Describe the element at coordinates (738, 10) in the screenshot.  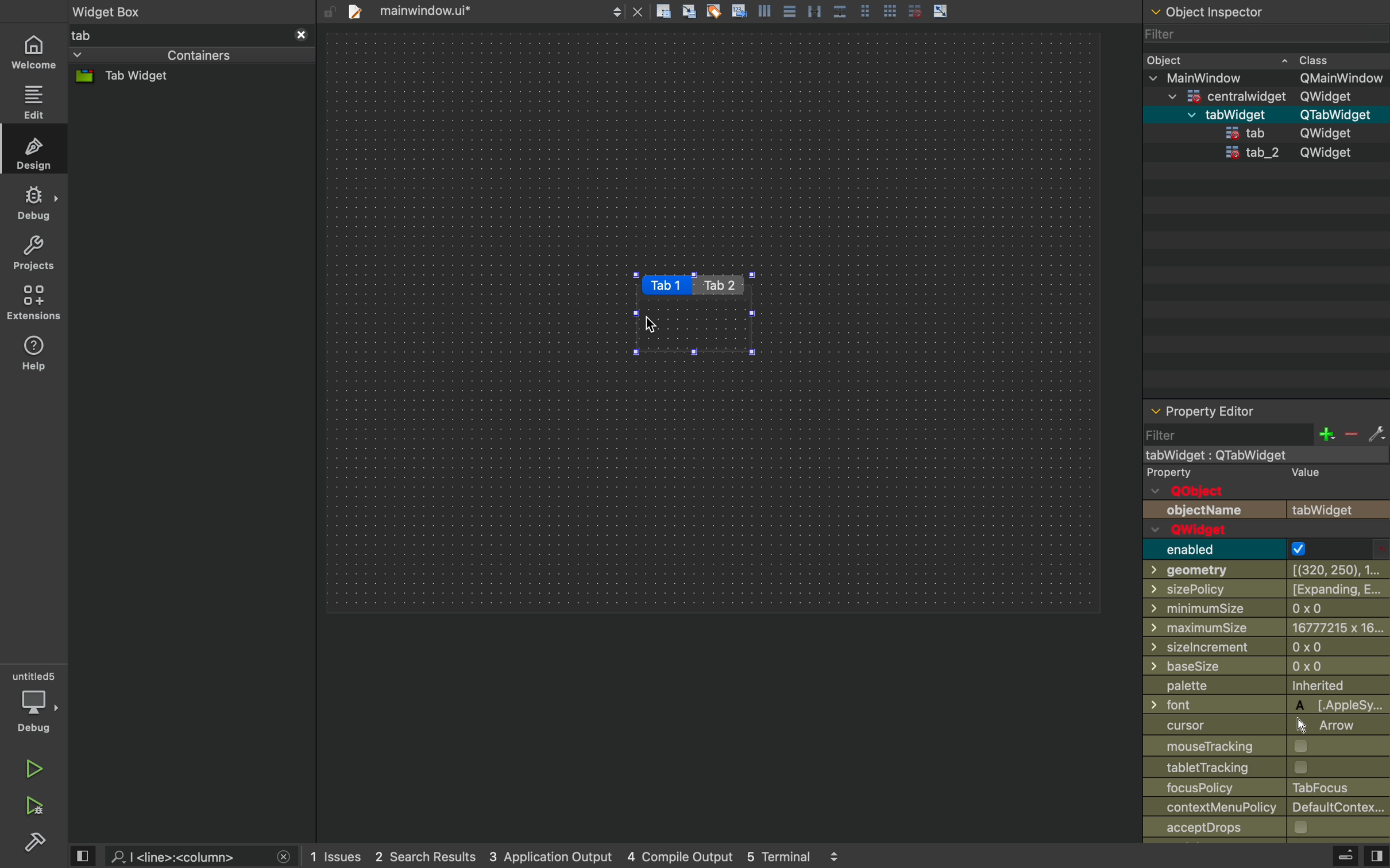
I see `insert text ` at that location.